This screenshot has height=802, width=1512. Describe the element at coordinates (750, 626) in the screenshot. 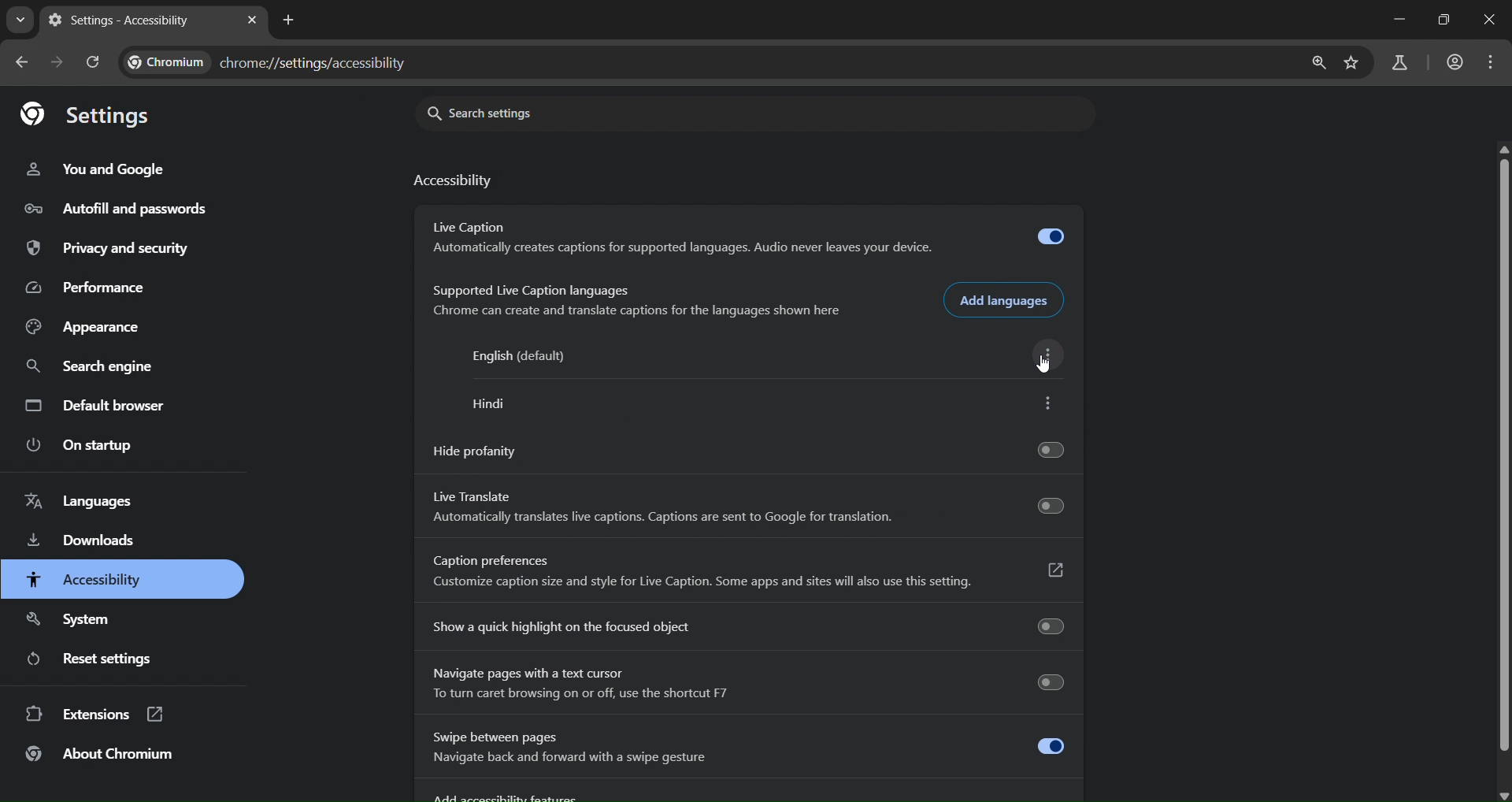

I see `show a quick highlight on the focused object` at that location.